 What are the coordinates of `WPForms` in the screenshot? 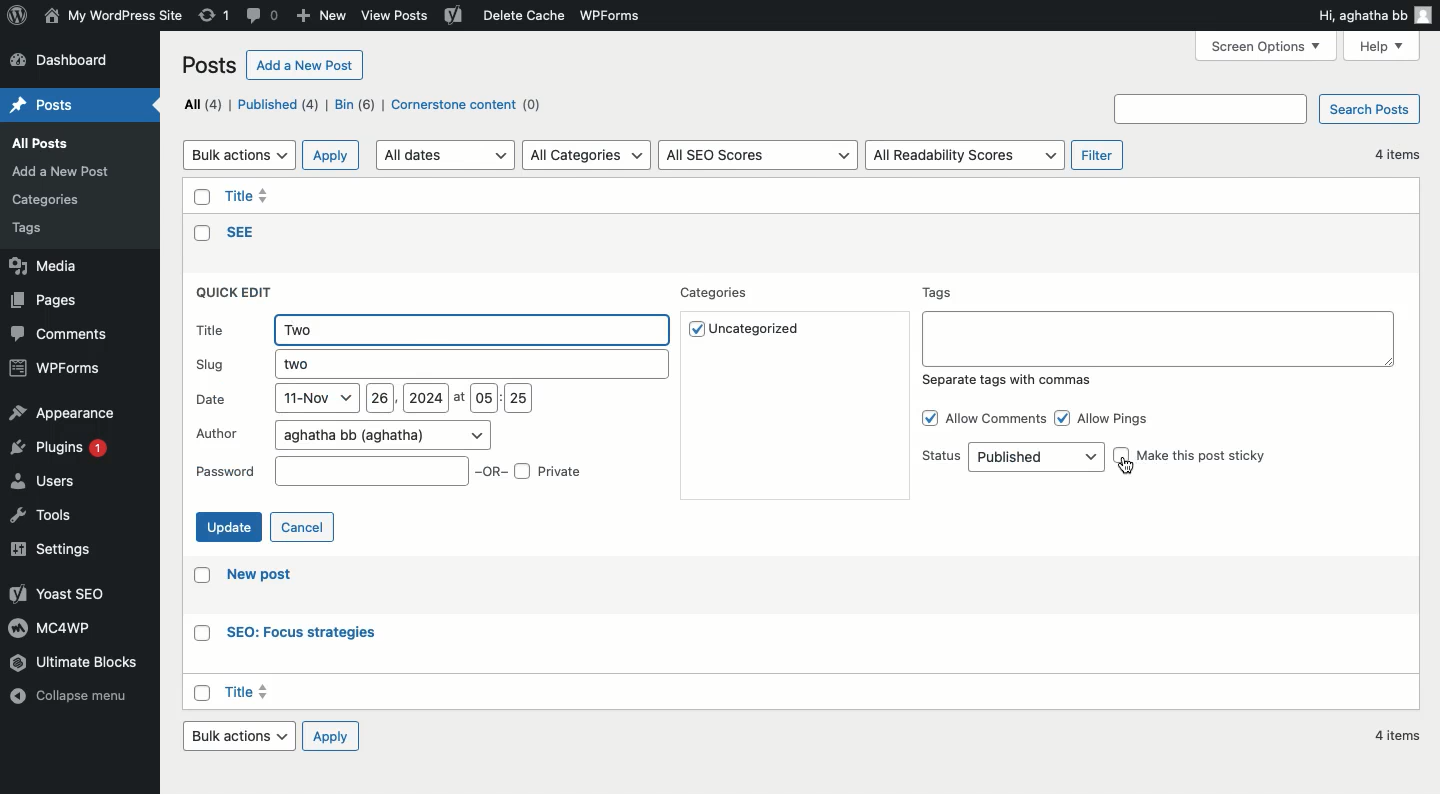 It's located at (620, 14).